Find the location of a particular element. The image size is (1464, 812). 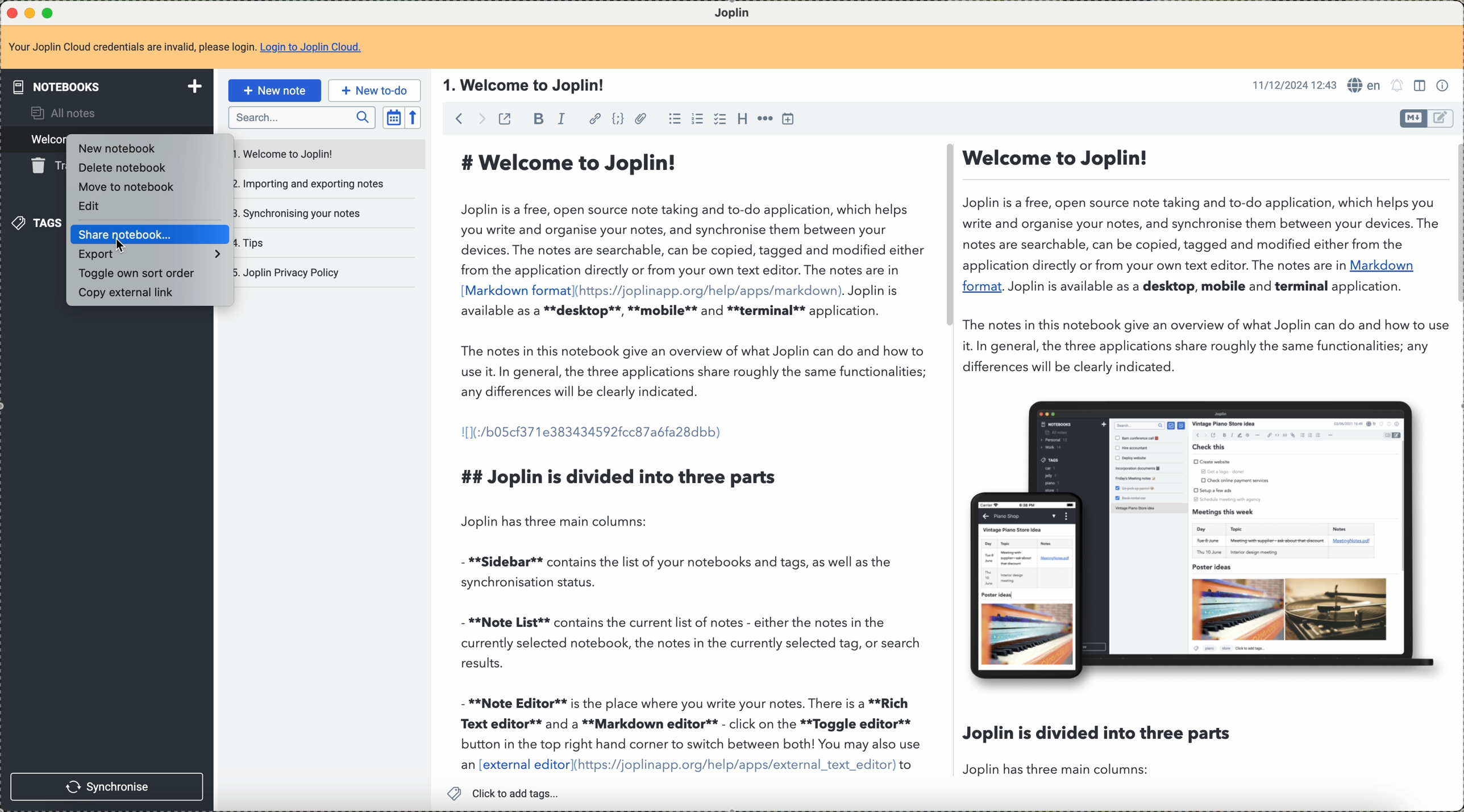

export is located at coordinates (148, 255).